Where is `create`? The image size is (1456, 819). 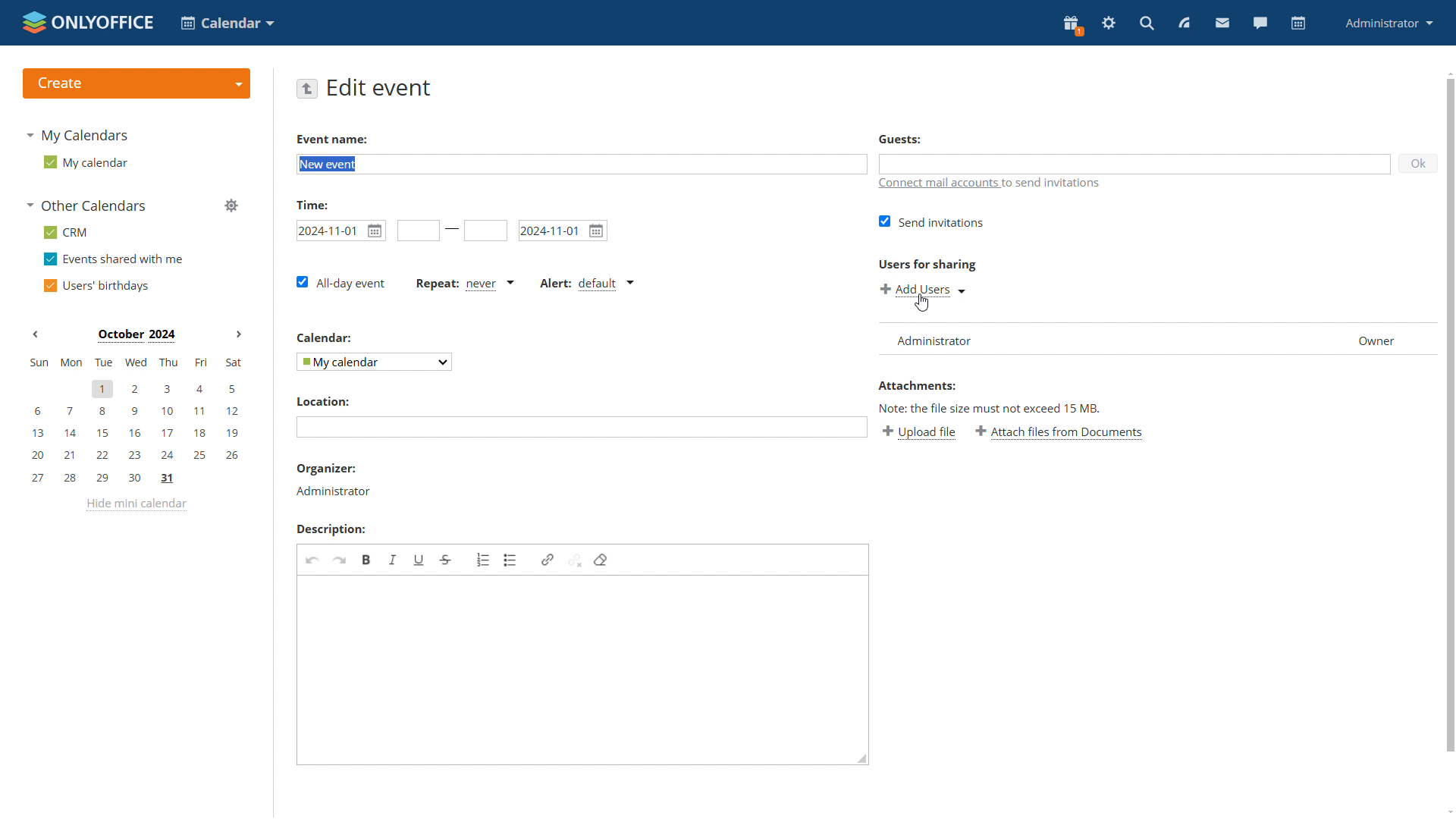
create is located at coordinates (136, 83).